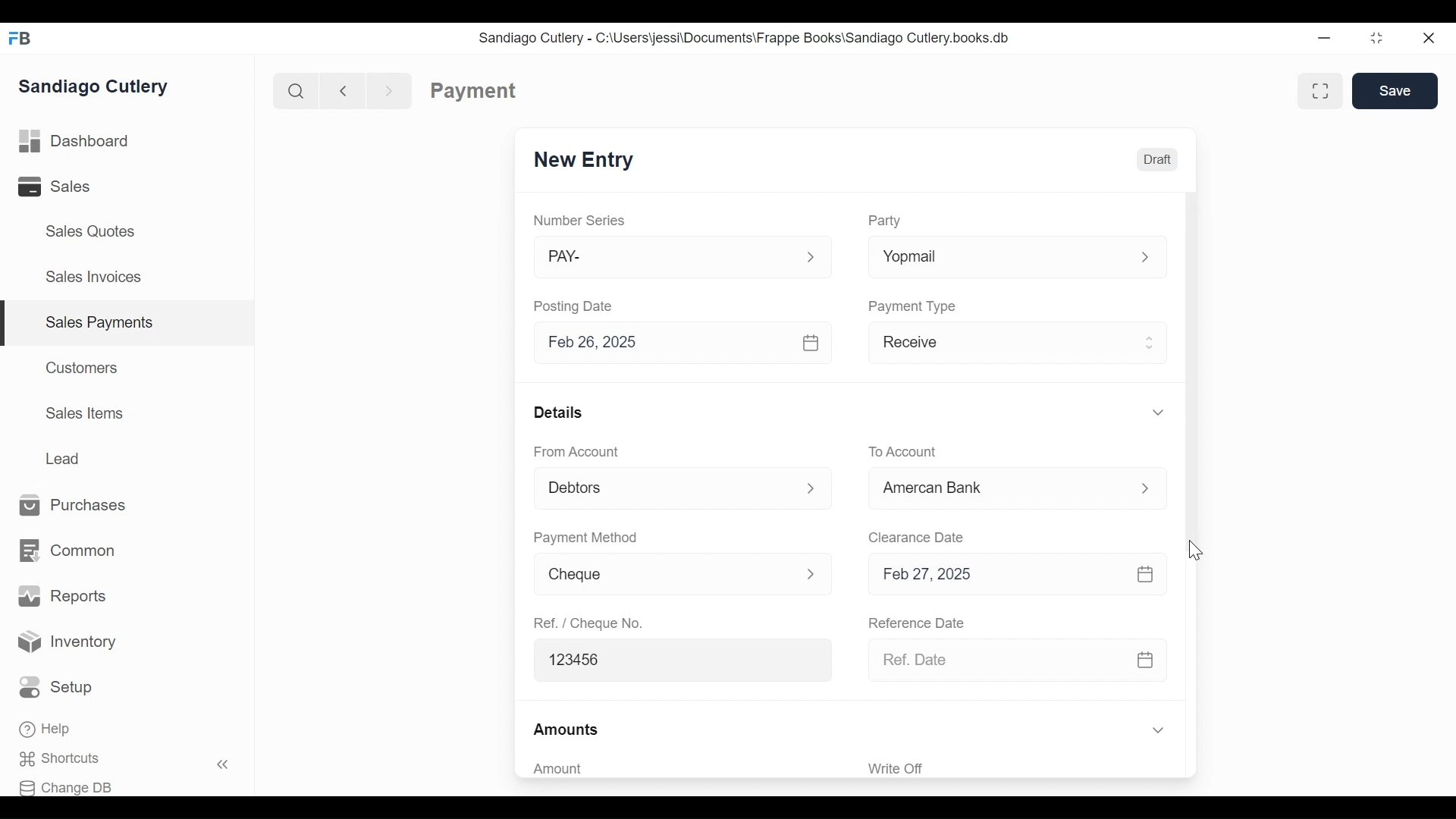 The width and height of the screenshot is (1456, 819). What do you see at coordinates (65, 187) in the screenshot?
I see `Sales` at bounding box center [65, 187].